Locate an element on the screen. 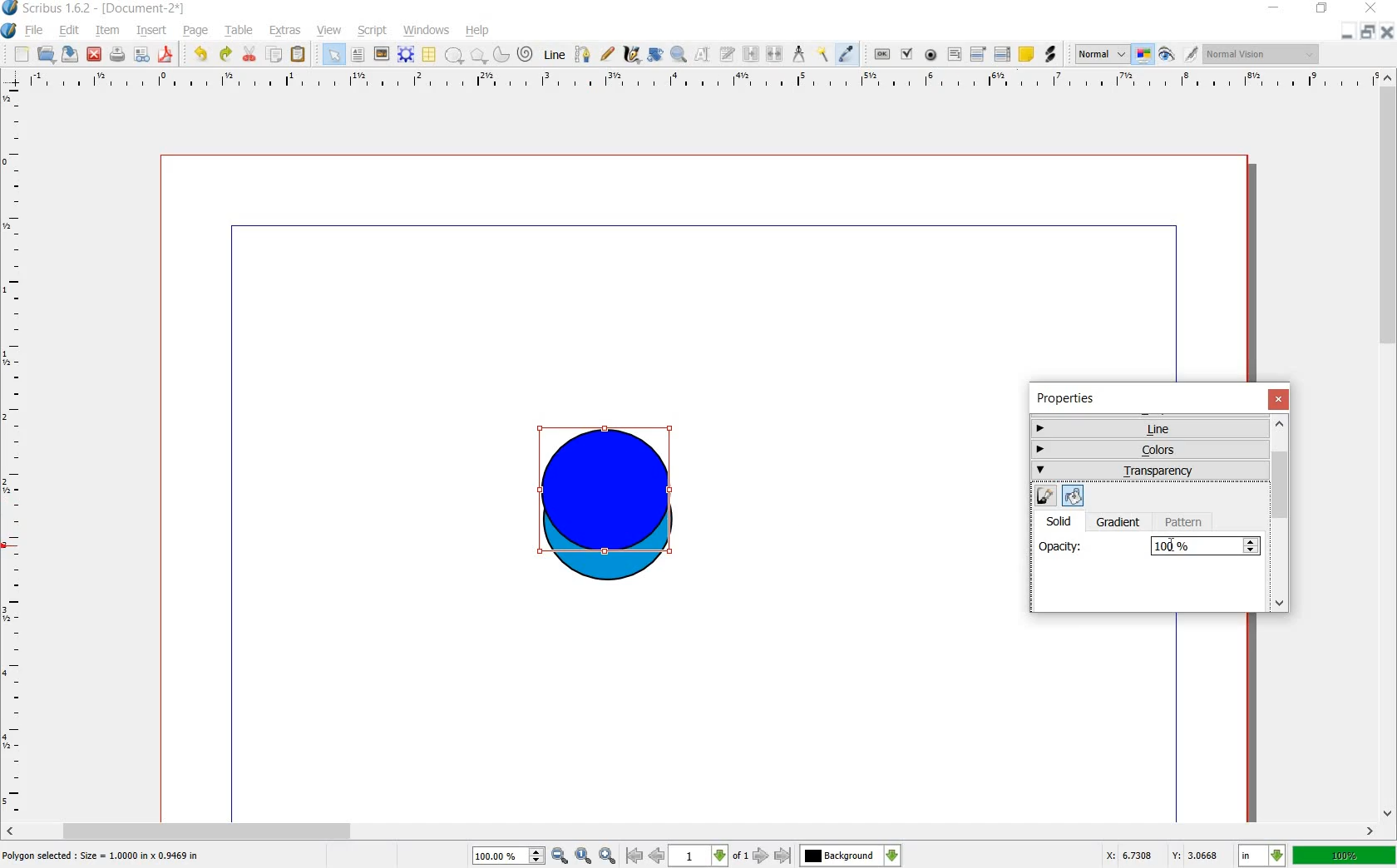  text annotation is located at coordinates (1028, 55).